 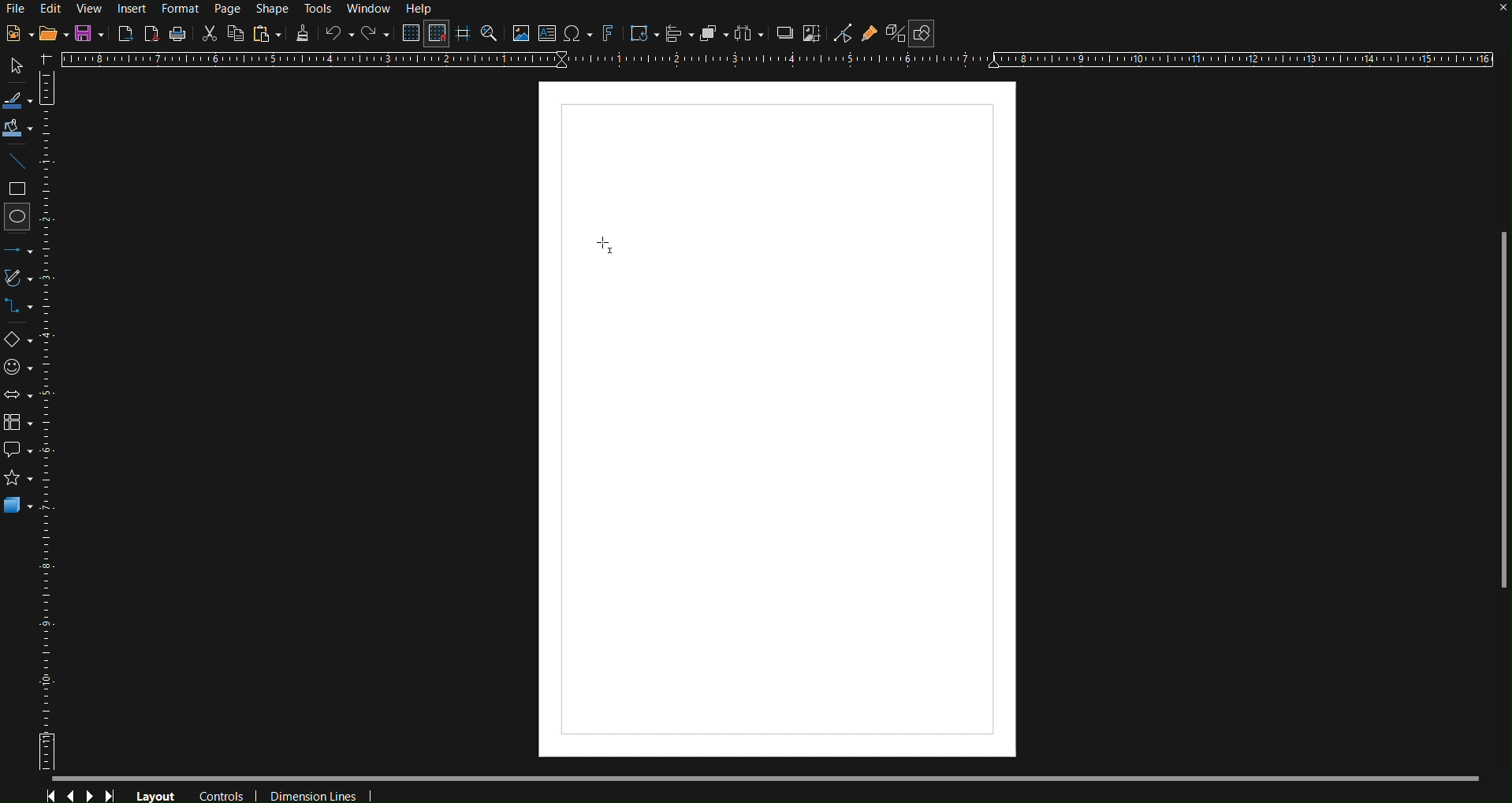 I want to click on Print, so click(x=178, y=34).